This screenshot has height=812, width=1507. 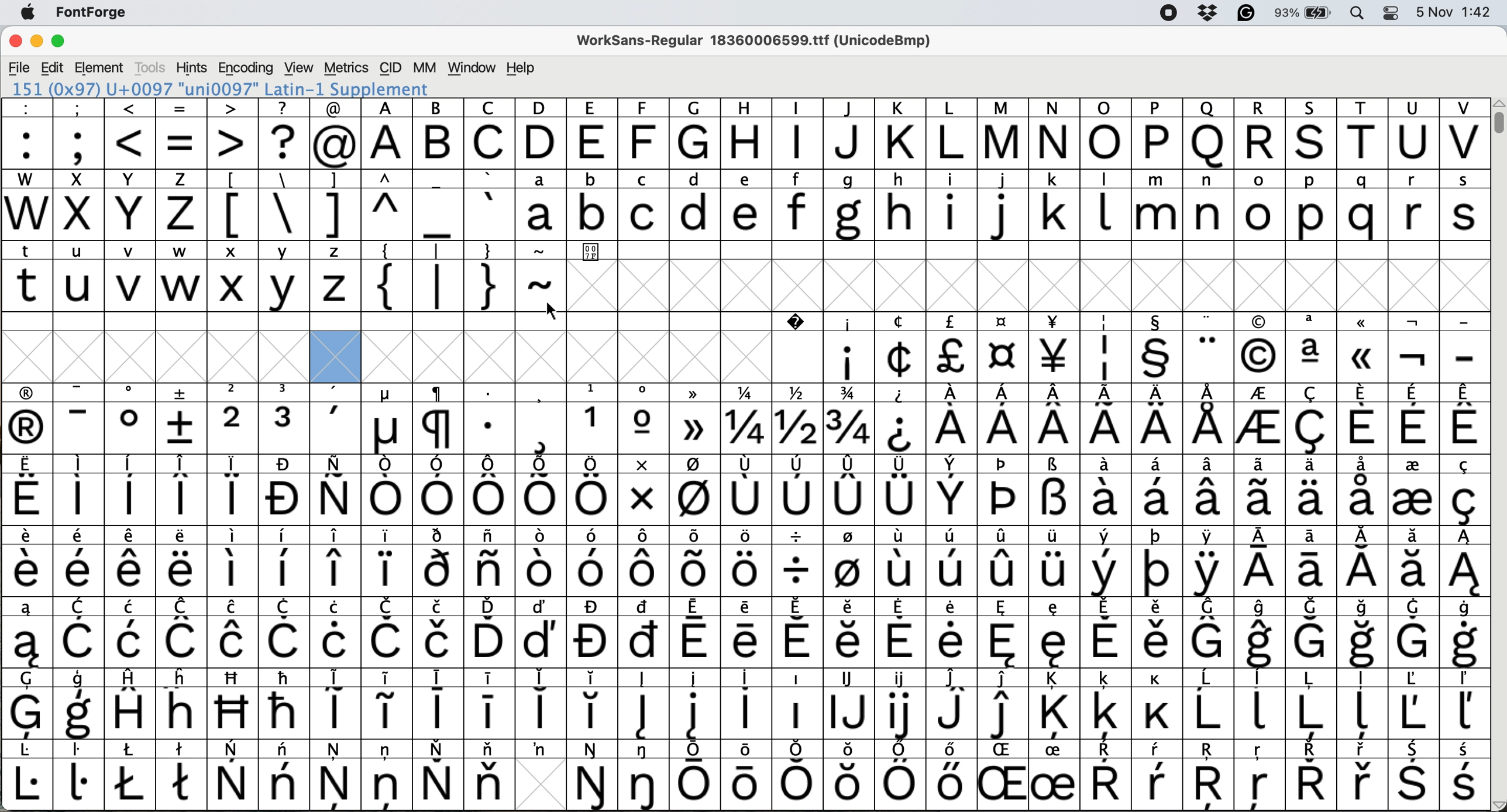 What do you see at coordinates (697, 632) in the screenshot?
I see `symbol` at bounding box center [697, 632].